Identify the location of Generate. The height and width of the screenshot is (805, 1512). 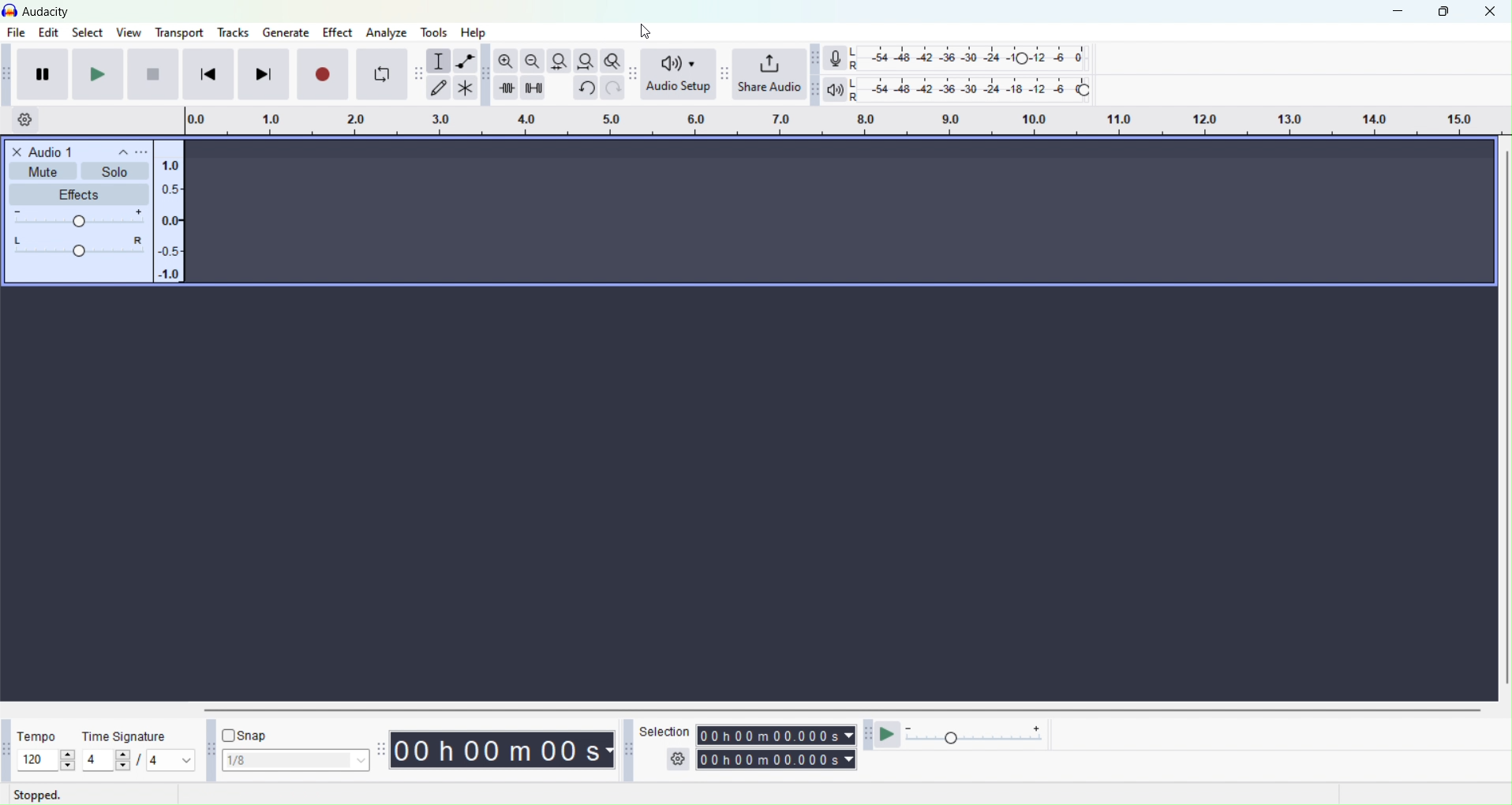
(283, 32).